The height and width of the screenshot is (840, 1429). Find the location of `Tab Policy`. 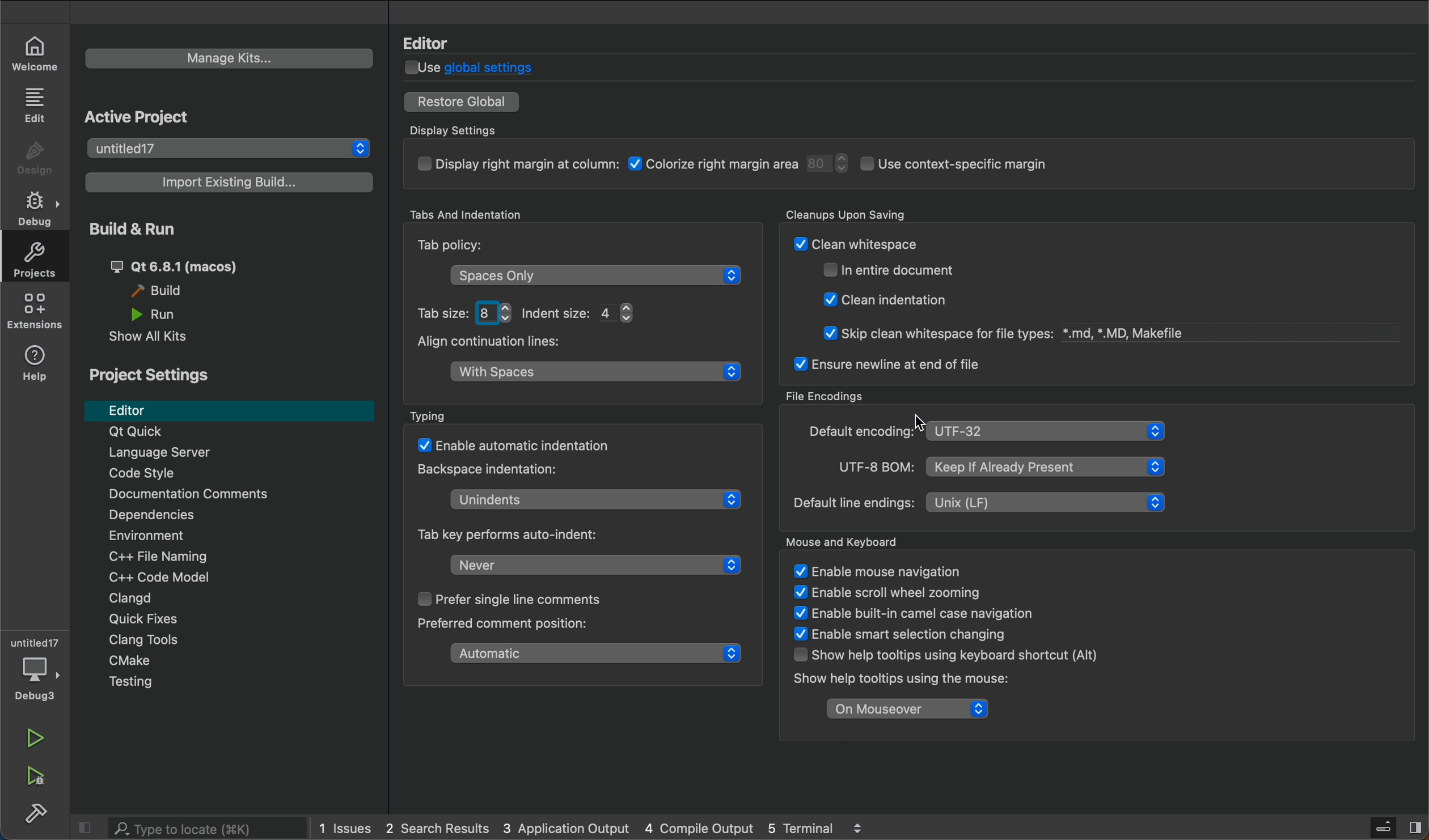

Tab Policy is located at coordinates (455, 247).